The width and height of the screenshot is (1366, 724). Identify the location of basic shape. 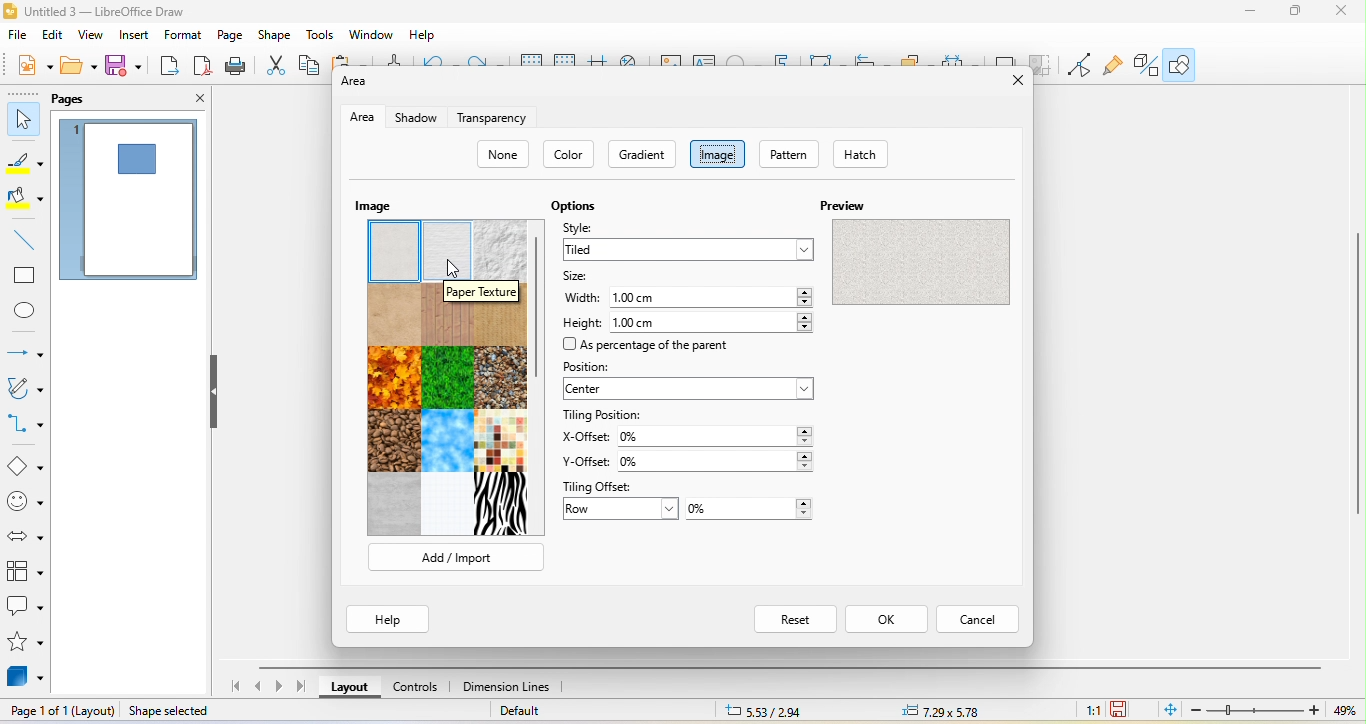
(24, 464).